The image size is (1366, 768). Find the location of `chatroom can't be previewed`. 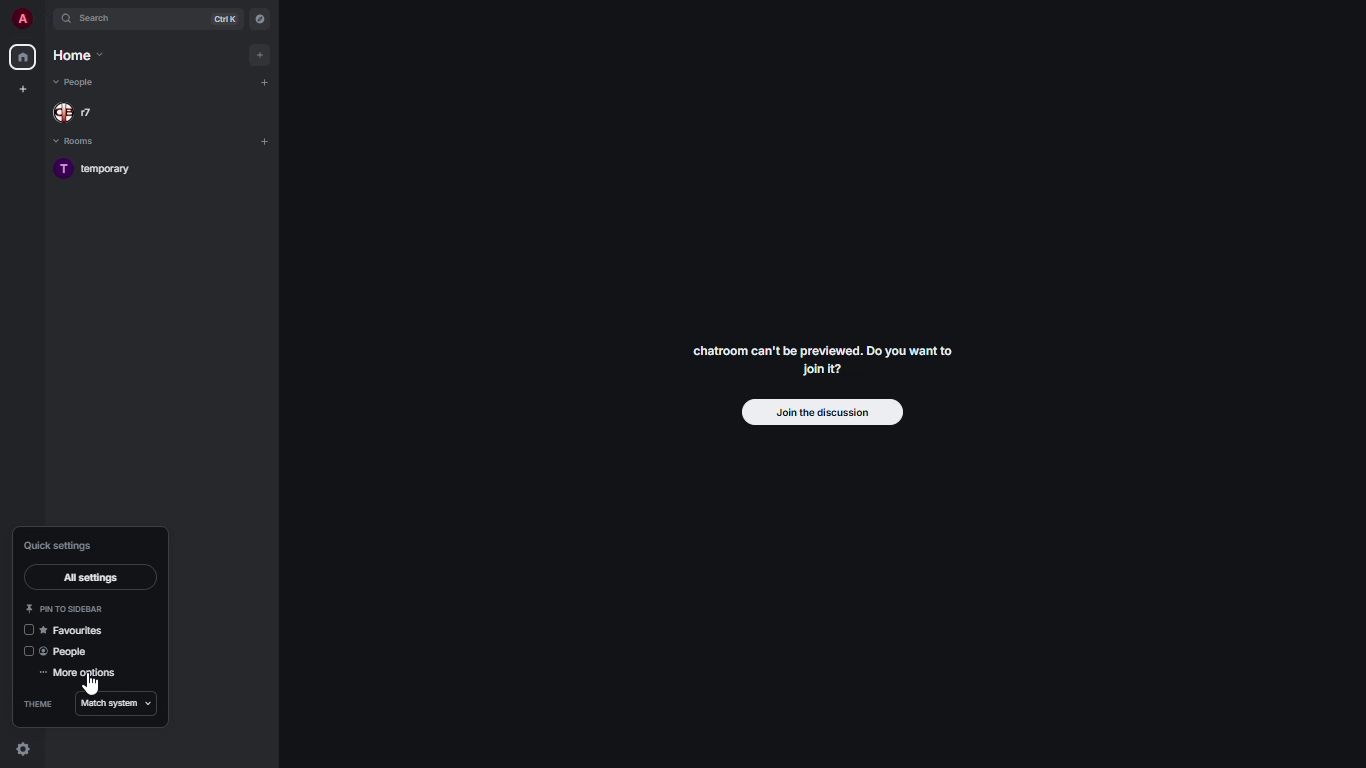

chatroom can't be previewed is located at coordinates (822, 364).